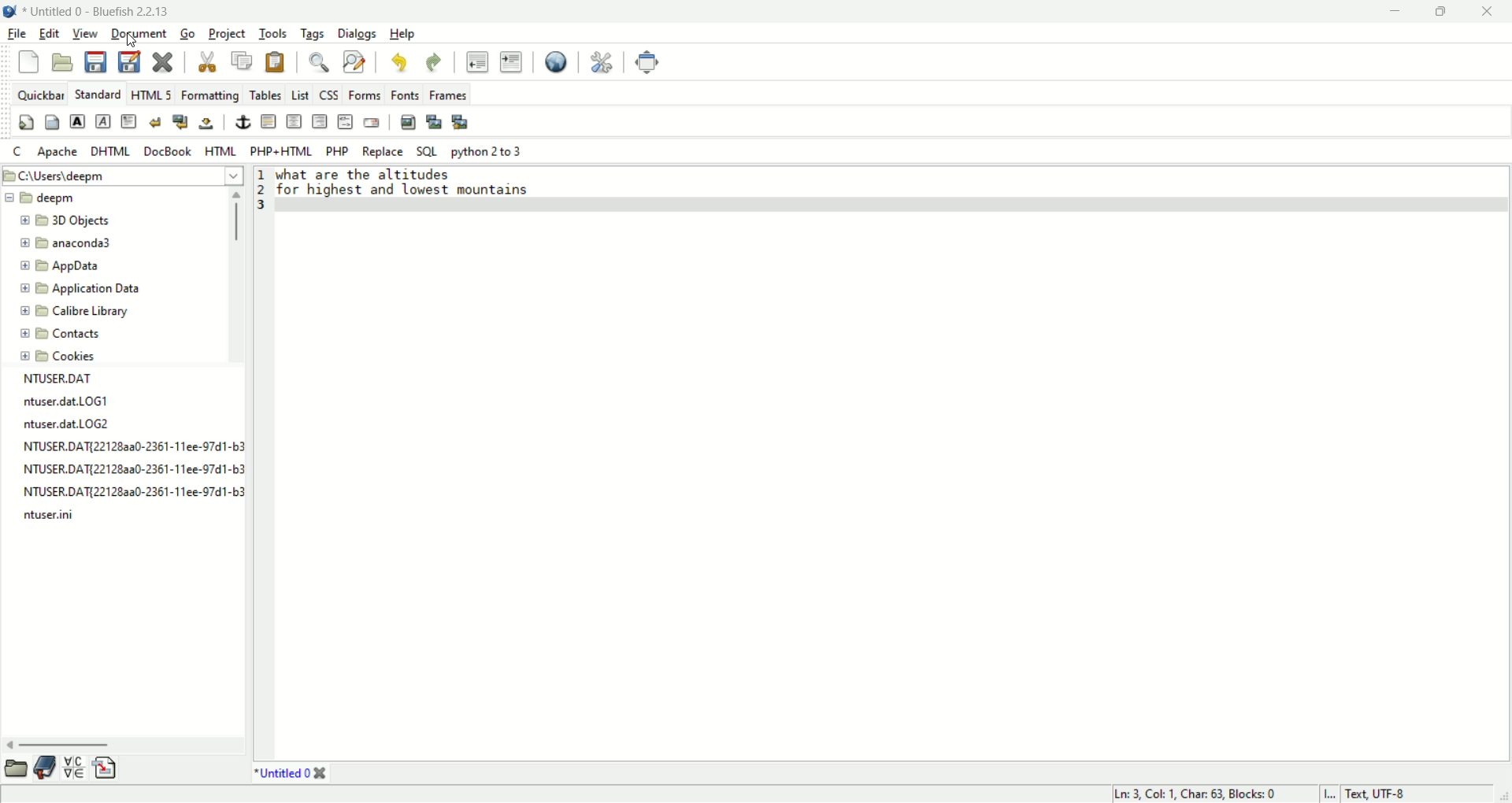 This screenshot has height=803, width=1512. I want to click on appdata, so click(64, 268).